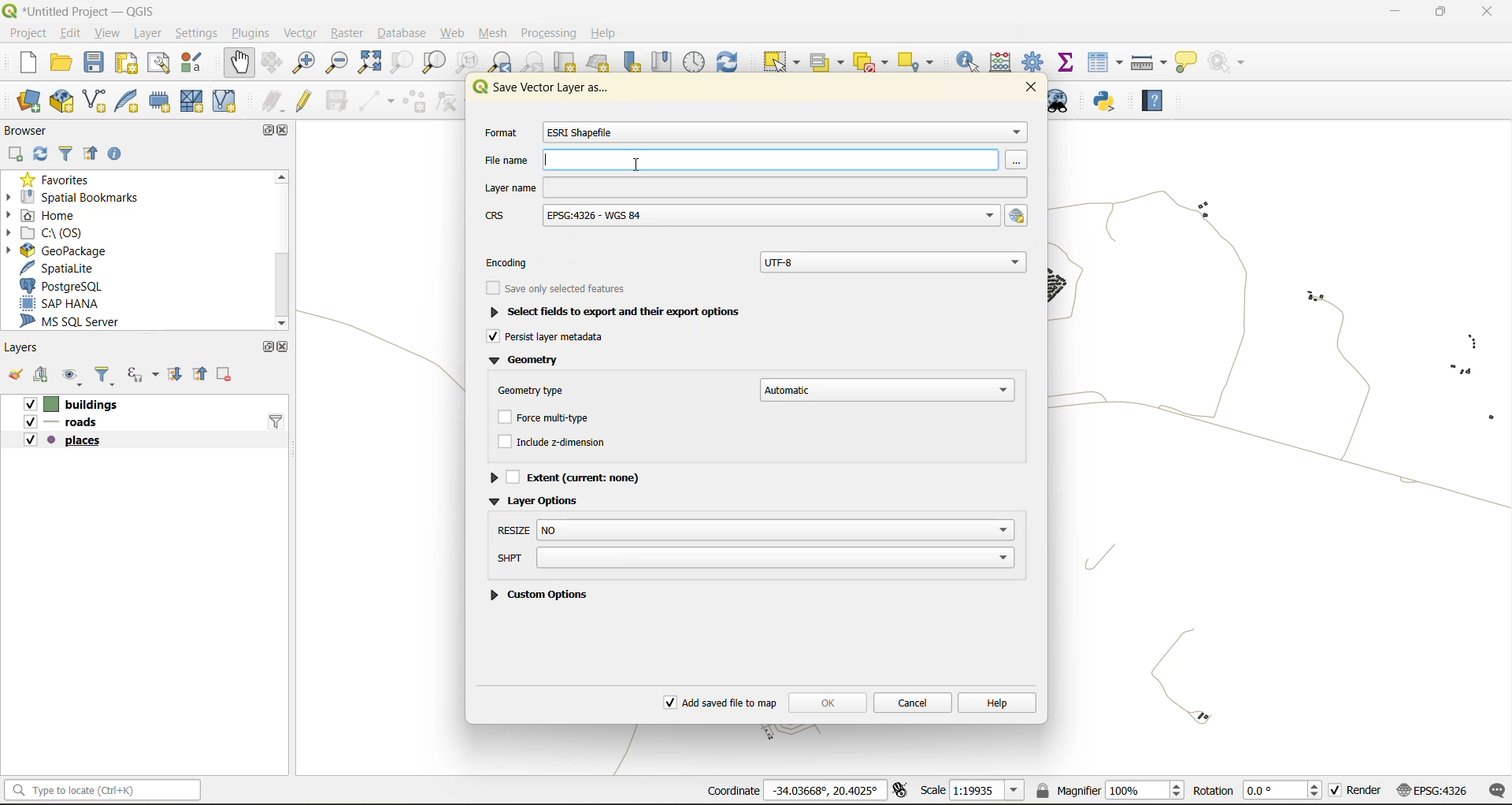 The image size is (1512, 805). I want to click on no action, so click(1233, 63).